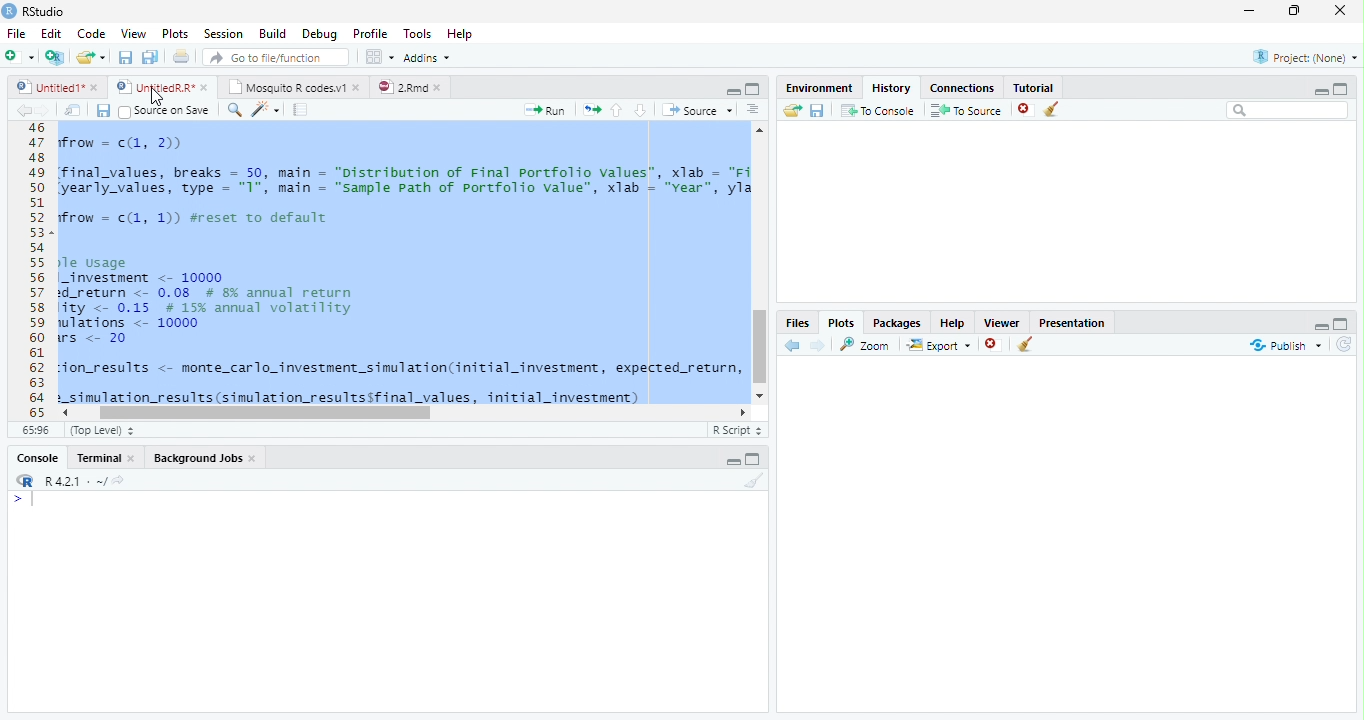 The width and height of the screenshot is (1364, 720). Describe the element at coordinates (67, 479) in the screenshot. I see `R 4.2.1 ~/` at that location.